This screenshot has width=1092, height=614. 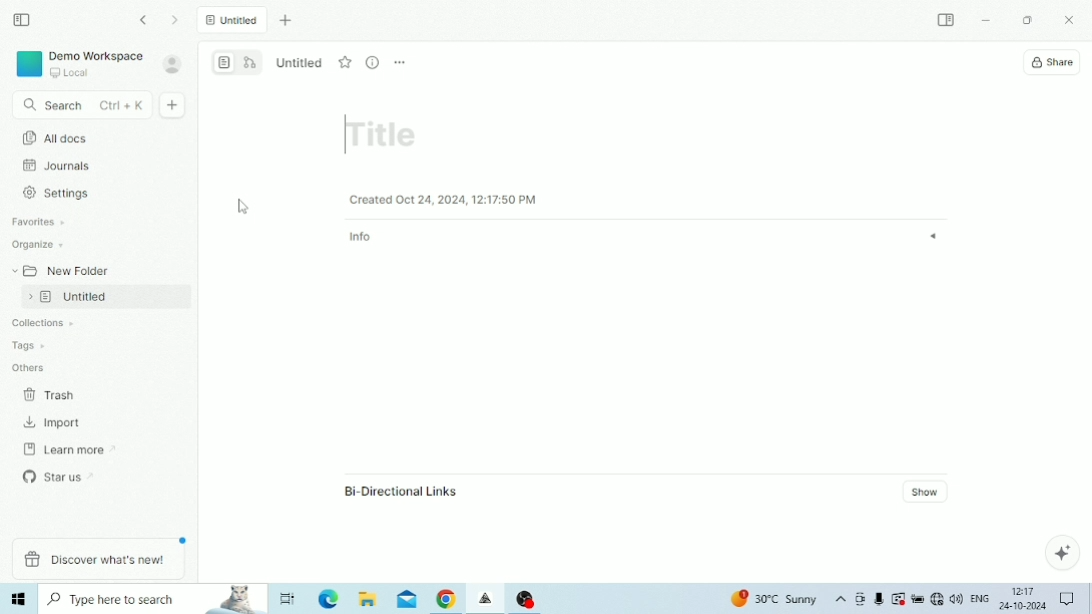 What do you see at coordinates (1052, 63) in the screenshot?
I see `Share` at bounding box center [1052, 63].